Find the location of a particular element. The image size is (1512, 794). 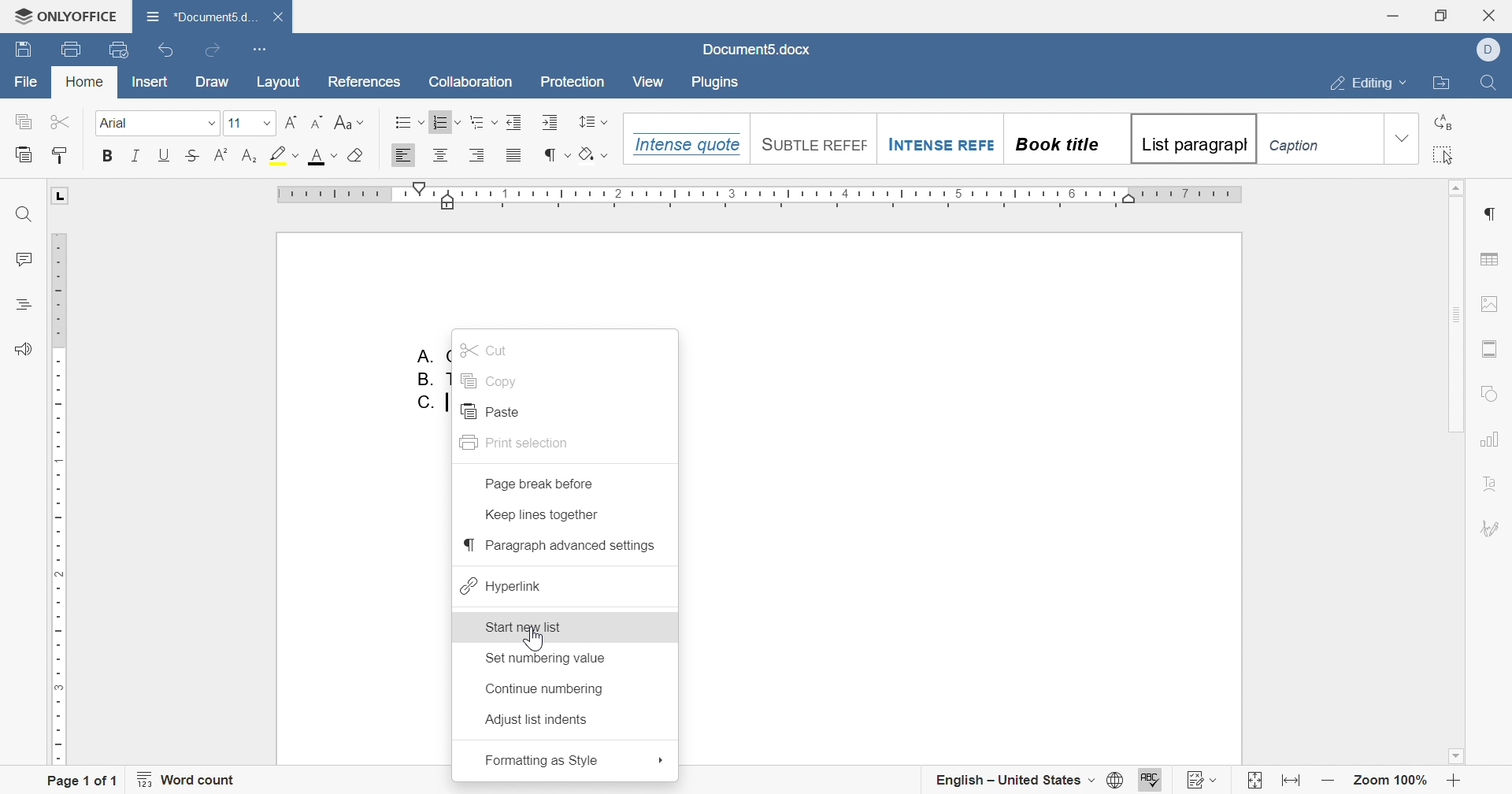

View is located at coordinates (650, 82).